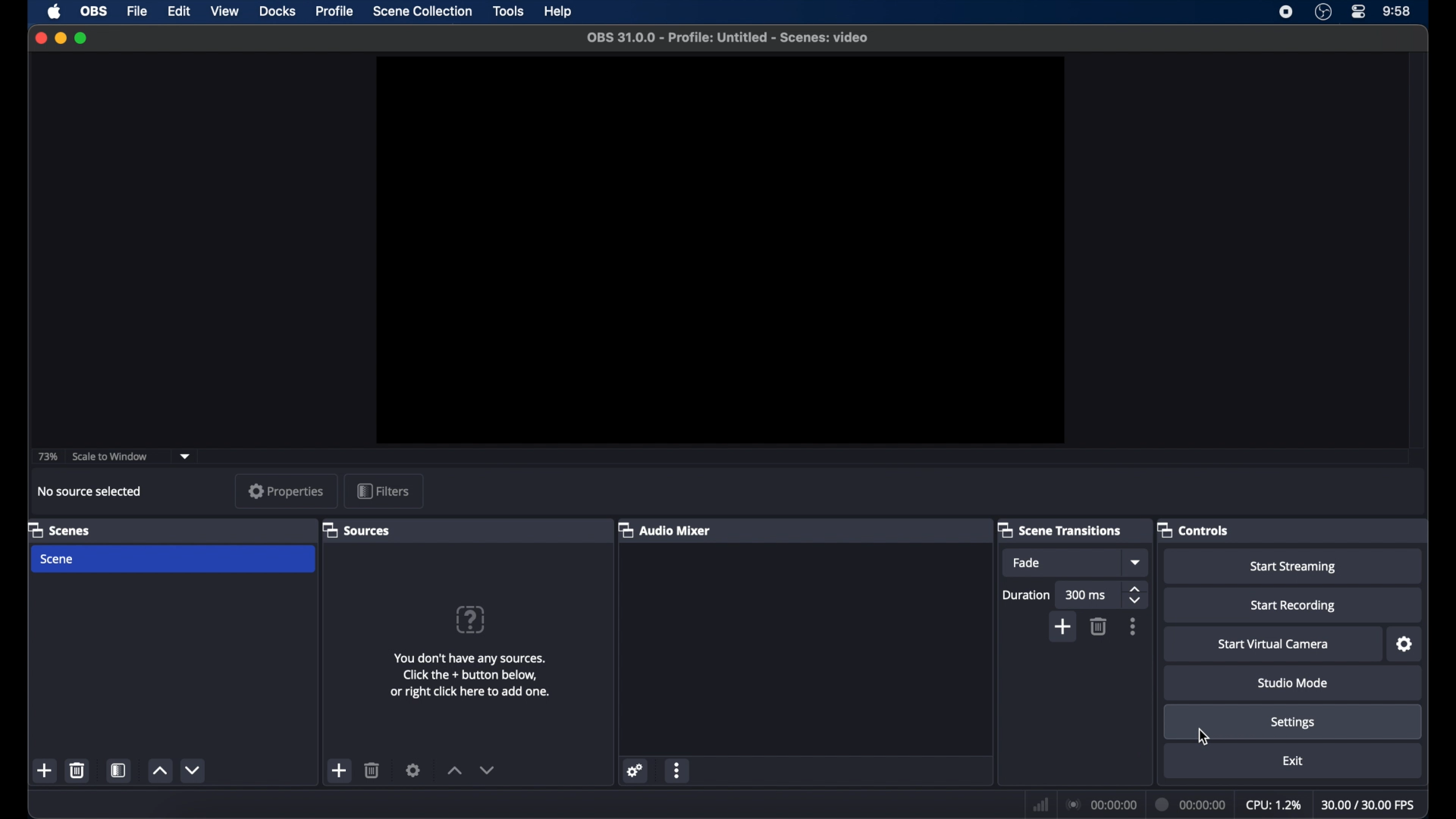  What do you see at coordinates (1136, 595) in the screenshot?
I see `stepper buttons` at bounding box center [1136, 595].